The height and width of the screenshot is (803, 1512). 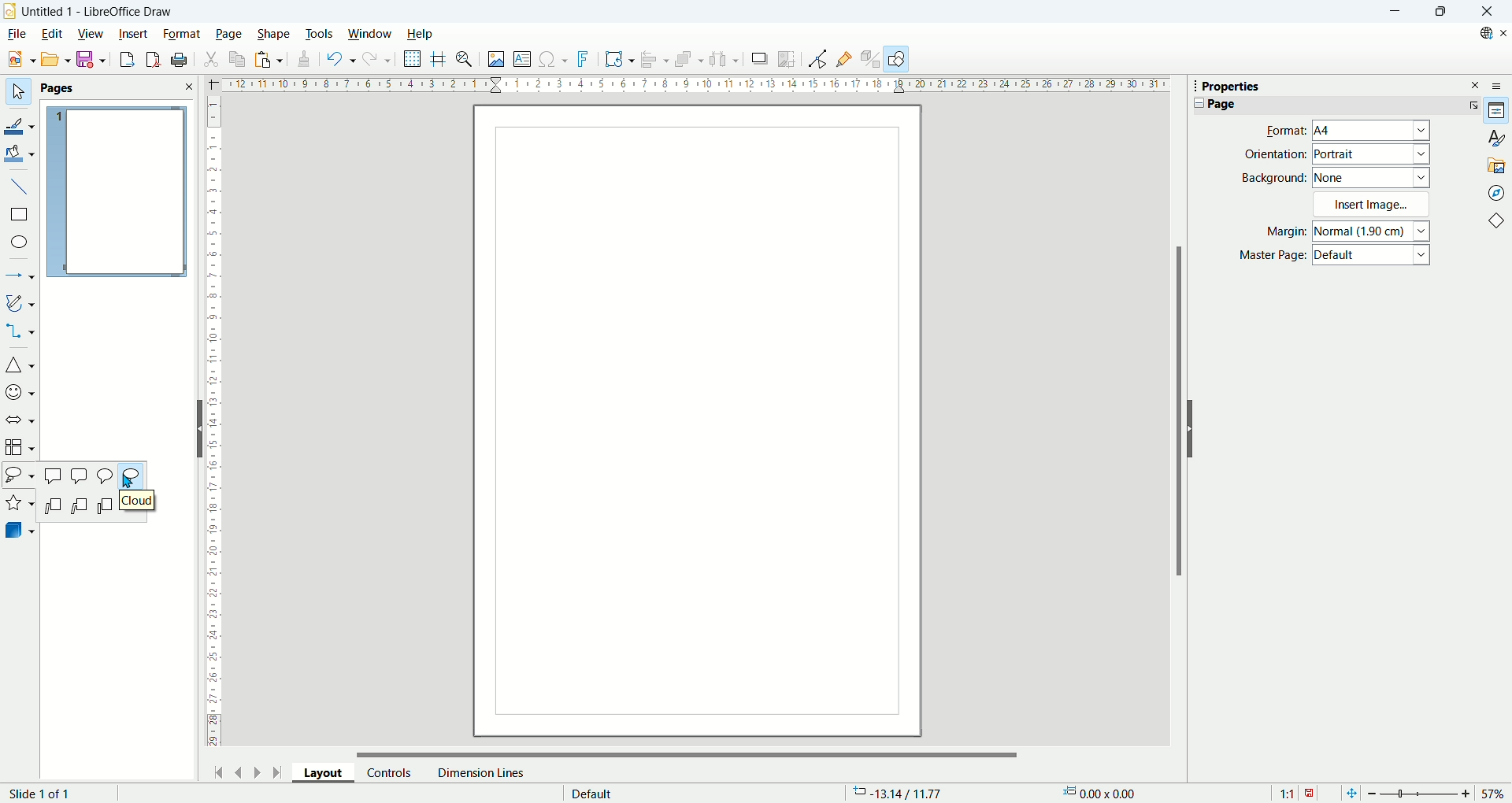 What do you see at coordinates (91, 32) in the screenshot?
I see `view` at bounding box center [91, 32].